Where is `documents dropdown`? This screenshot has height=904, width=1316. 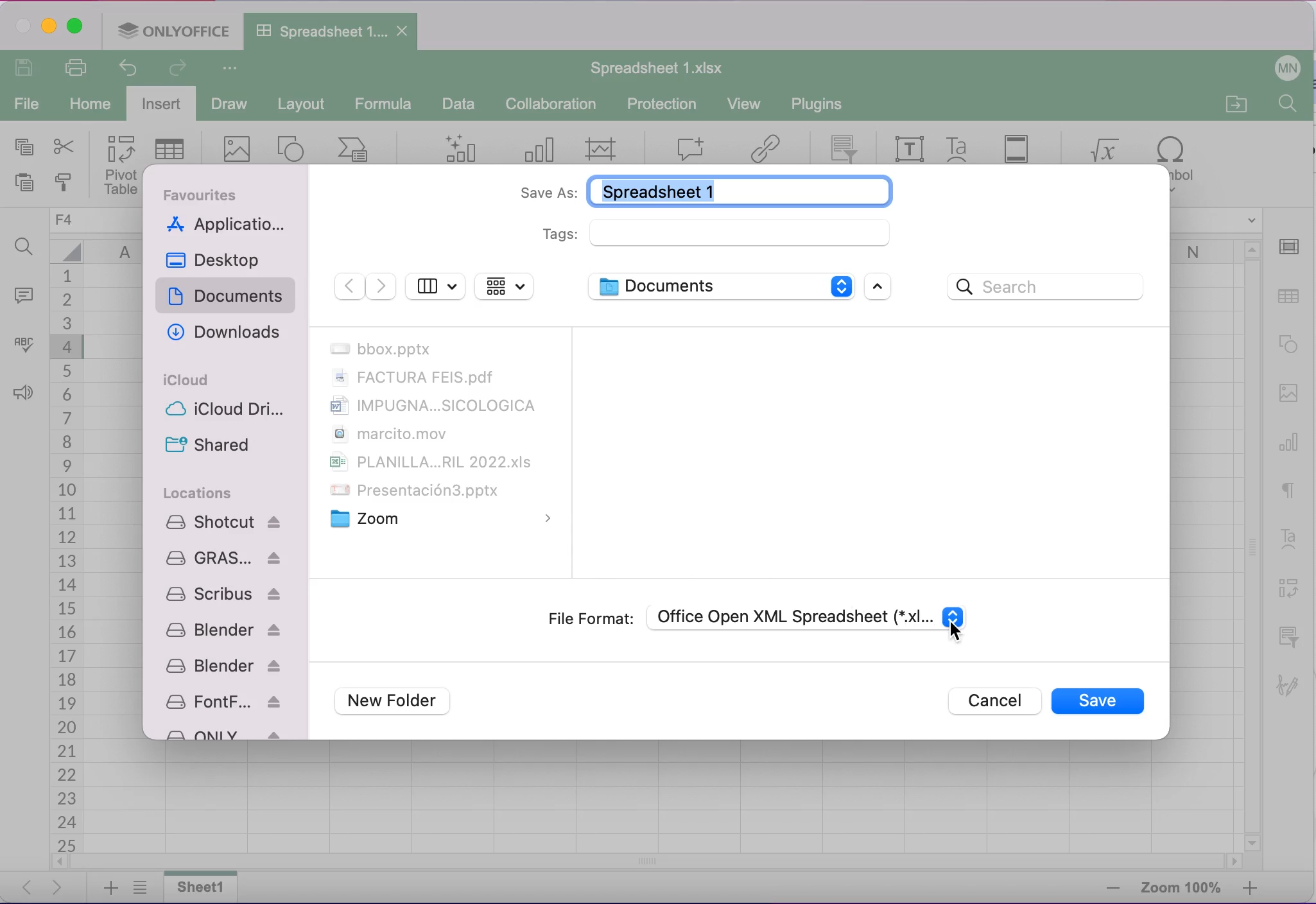 documents dropdown is located at coordinates (718, 286).